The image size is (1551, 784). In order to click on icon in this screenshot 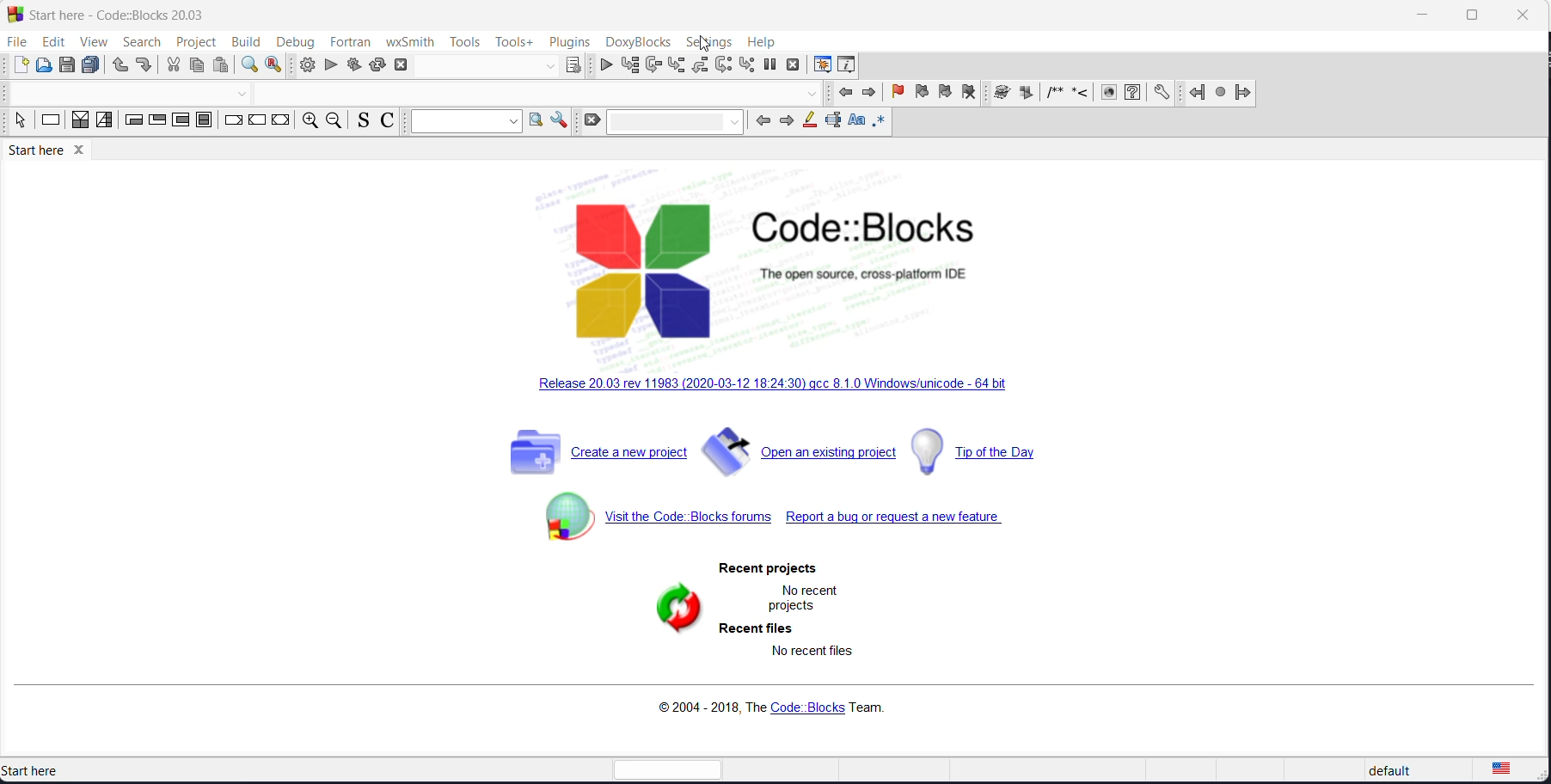, I will do `click(1055, 95)`.